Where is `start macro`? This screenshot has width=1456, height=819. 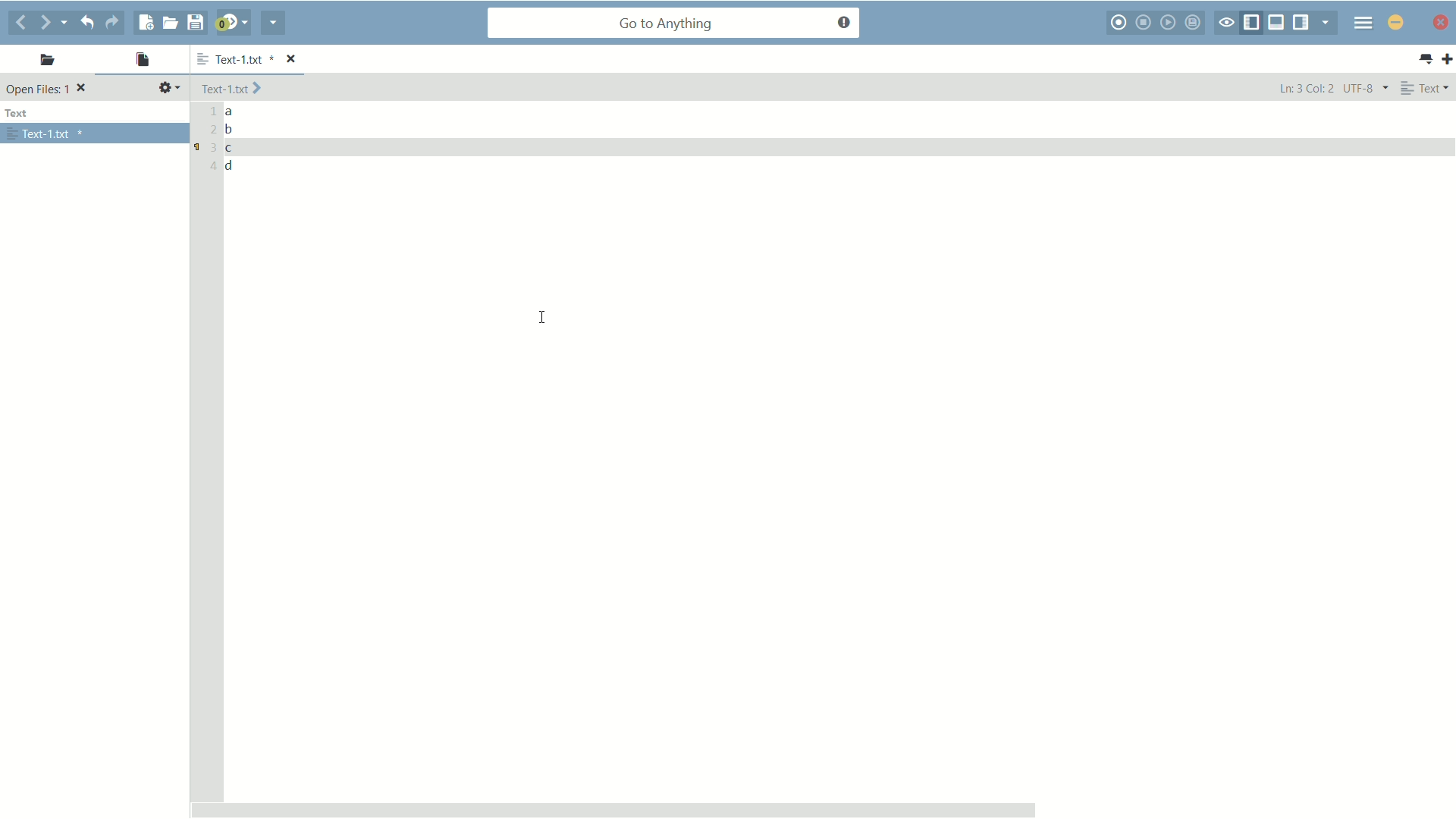
start macro is located at coordinates (1121, 24).